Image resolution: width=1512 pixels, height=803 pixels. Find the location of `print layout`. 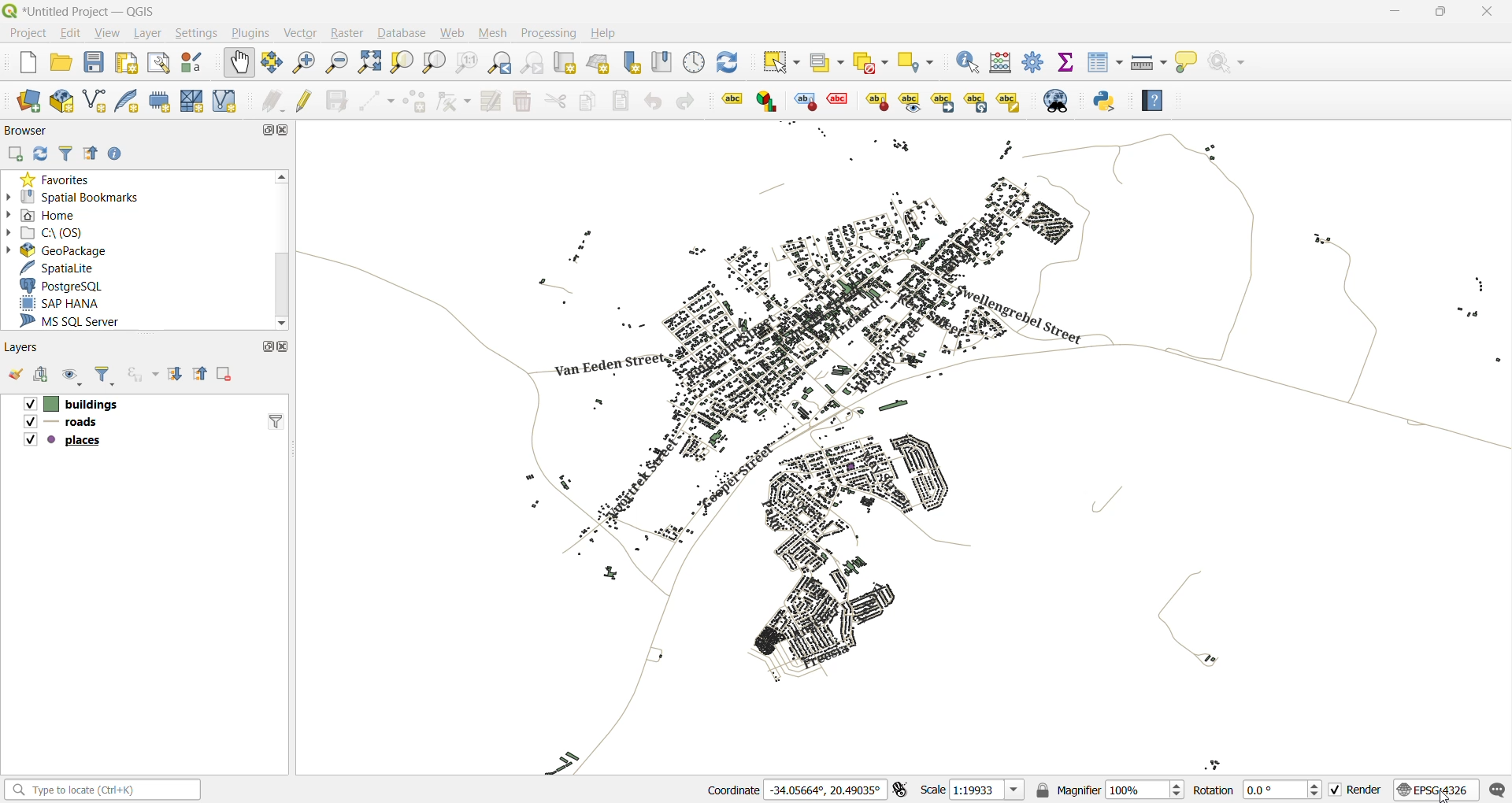

print layout is located at coordinates (128, 62).